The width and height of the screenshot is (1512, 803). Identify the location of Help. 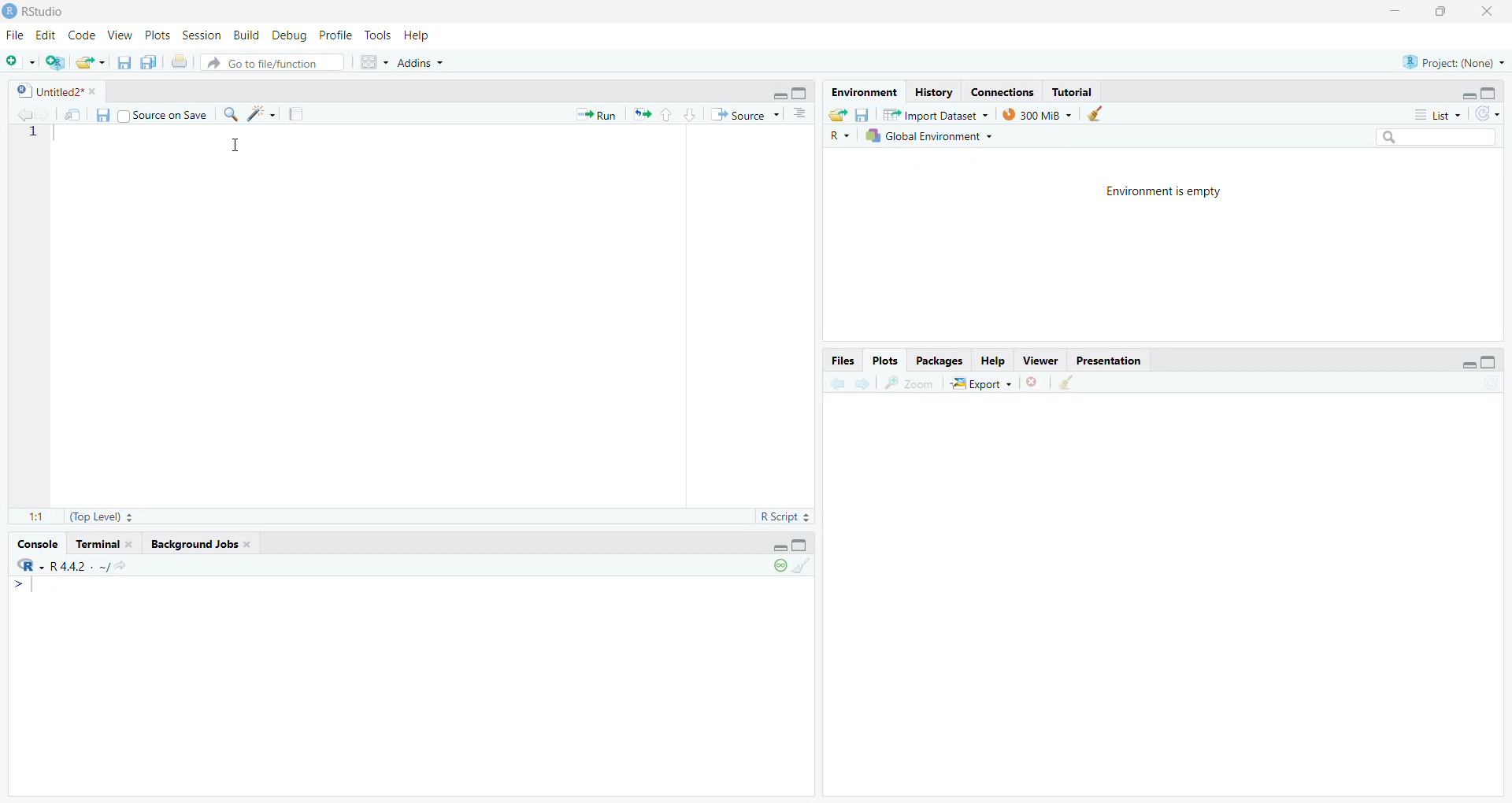
(419, 37).